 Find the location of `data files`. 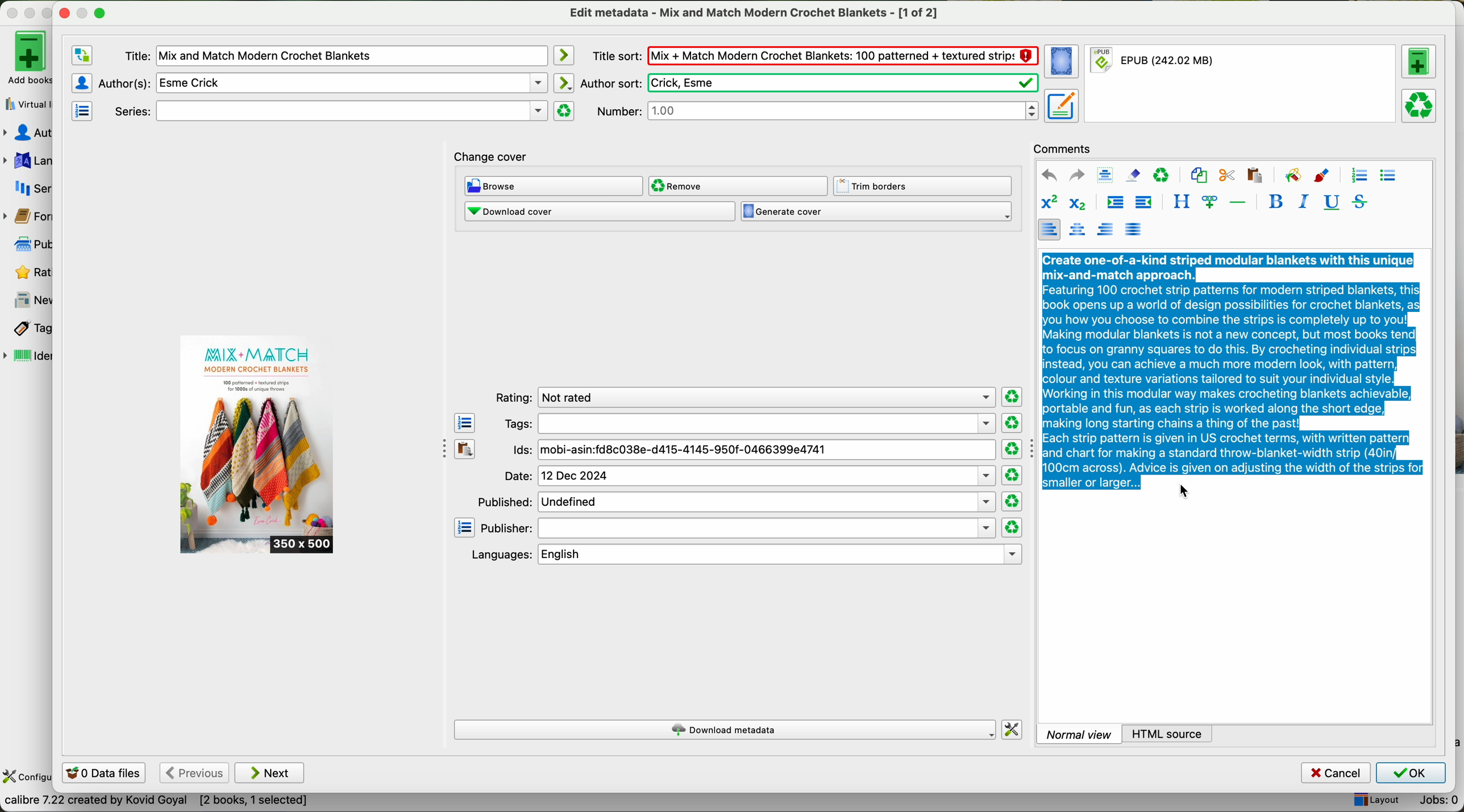

data files is located at coordinates (102, 774).